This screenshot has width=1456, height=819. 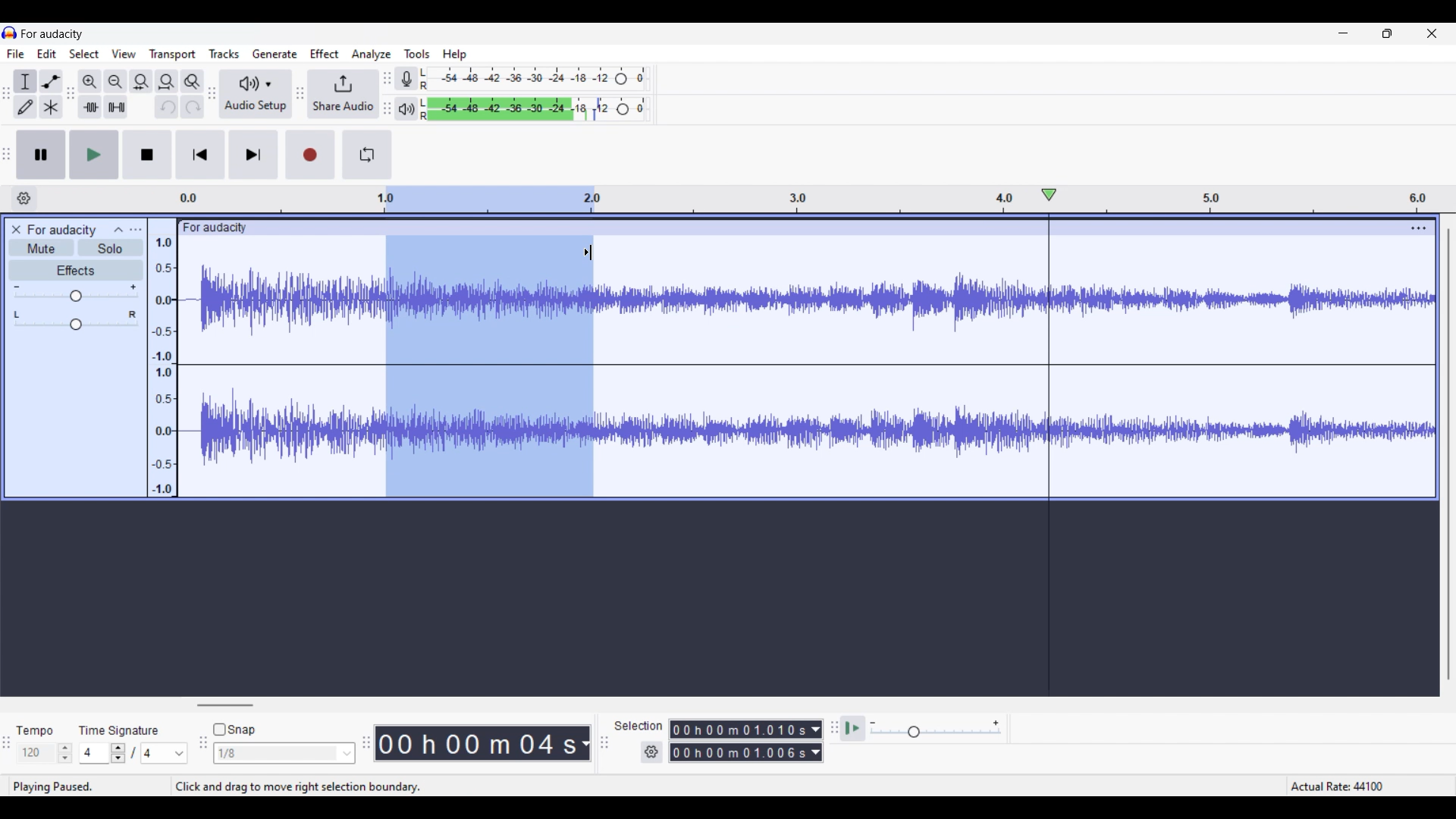 What do you see at coordinates (324, 54) in the screenshot?
I see `Effect menu` at bounding box center [324, 54].